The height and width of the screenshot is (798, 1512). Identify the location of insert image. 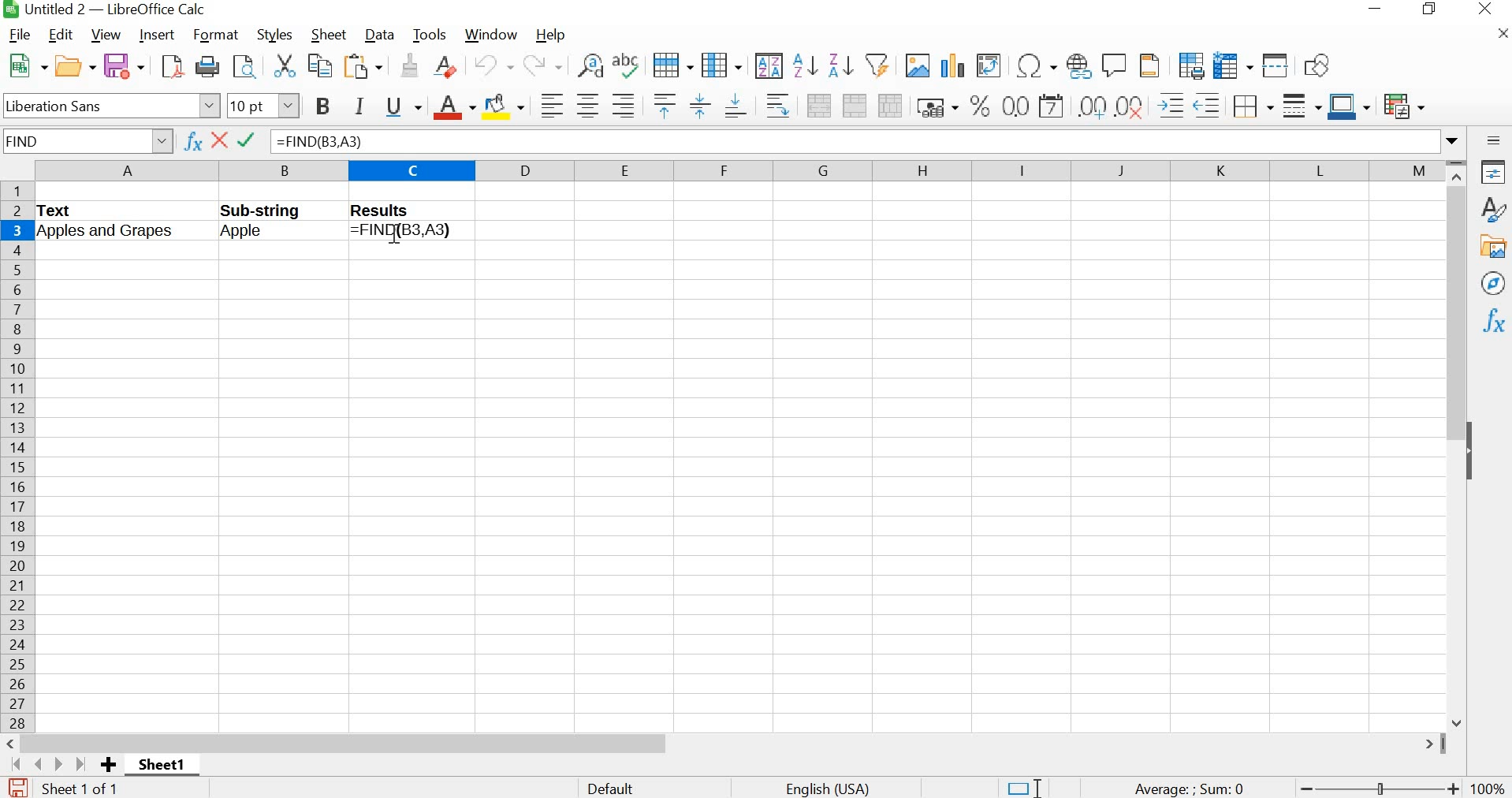
(917, 65).